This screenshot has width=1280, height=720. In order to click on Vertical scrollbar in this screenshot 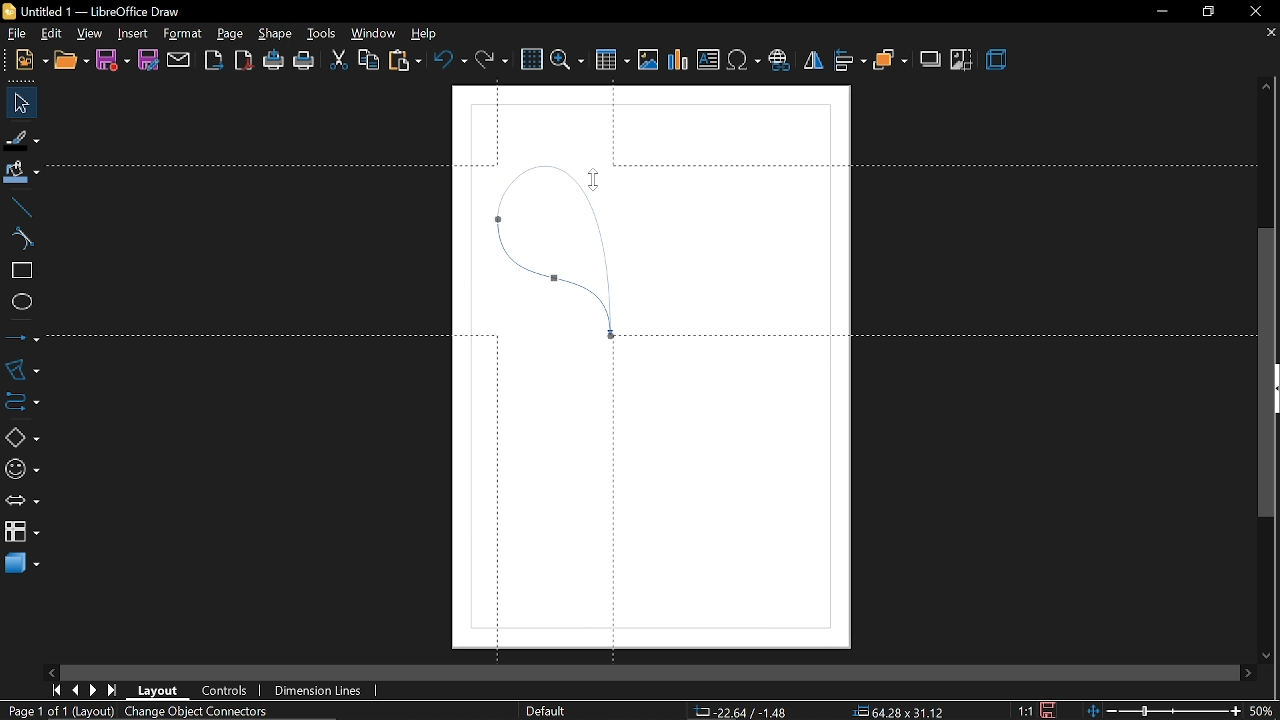, I will do `click(1267, 374)`.